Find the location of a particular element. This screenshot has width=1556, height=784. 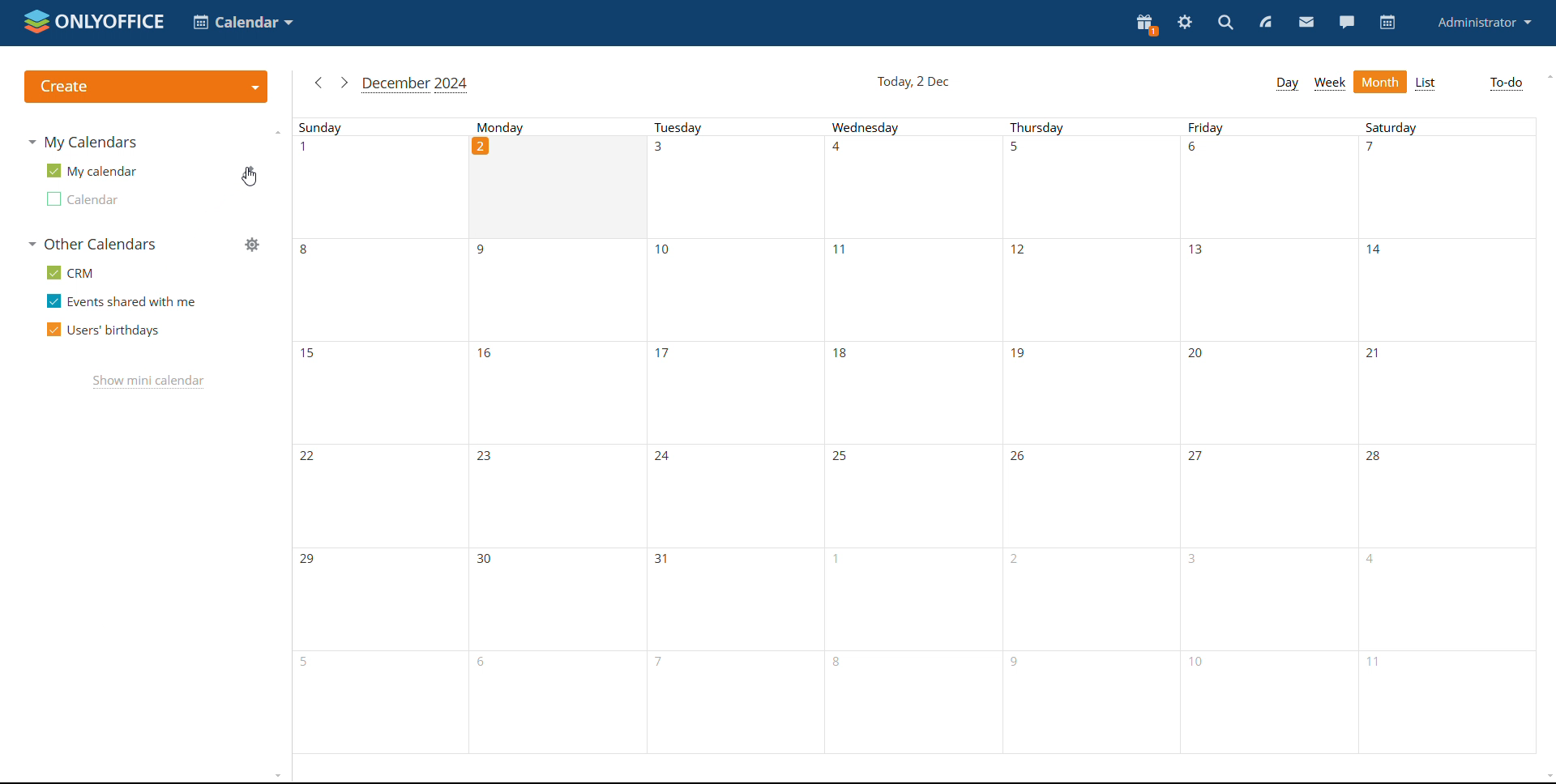

sunday is located at coordinates (378, 445).